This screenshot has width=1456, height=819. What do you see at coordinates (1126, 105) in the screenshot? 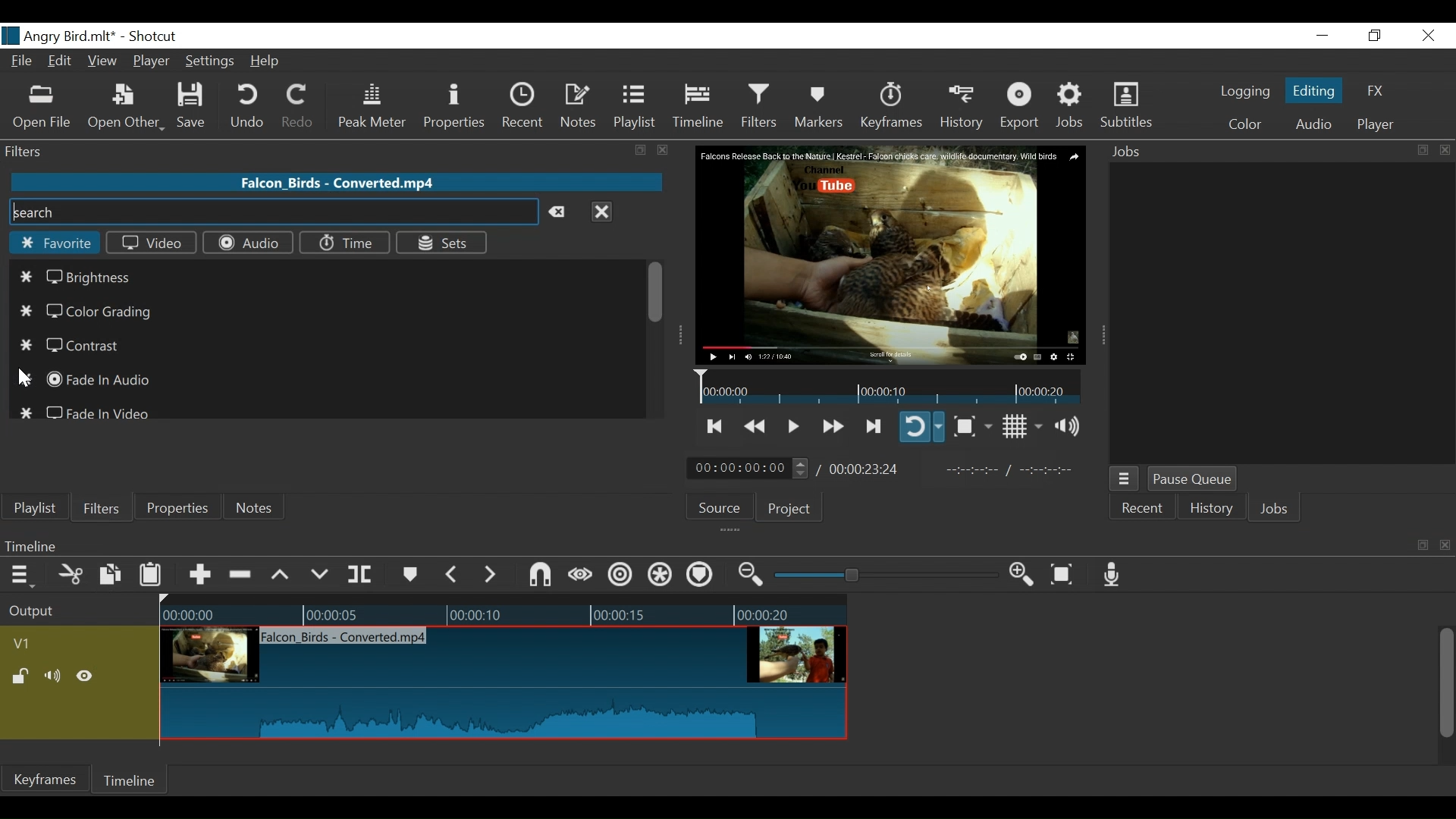
I see `Subtitles` at bounding box center [1126, 105].